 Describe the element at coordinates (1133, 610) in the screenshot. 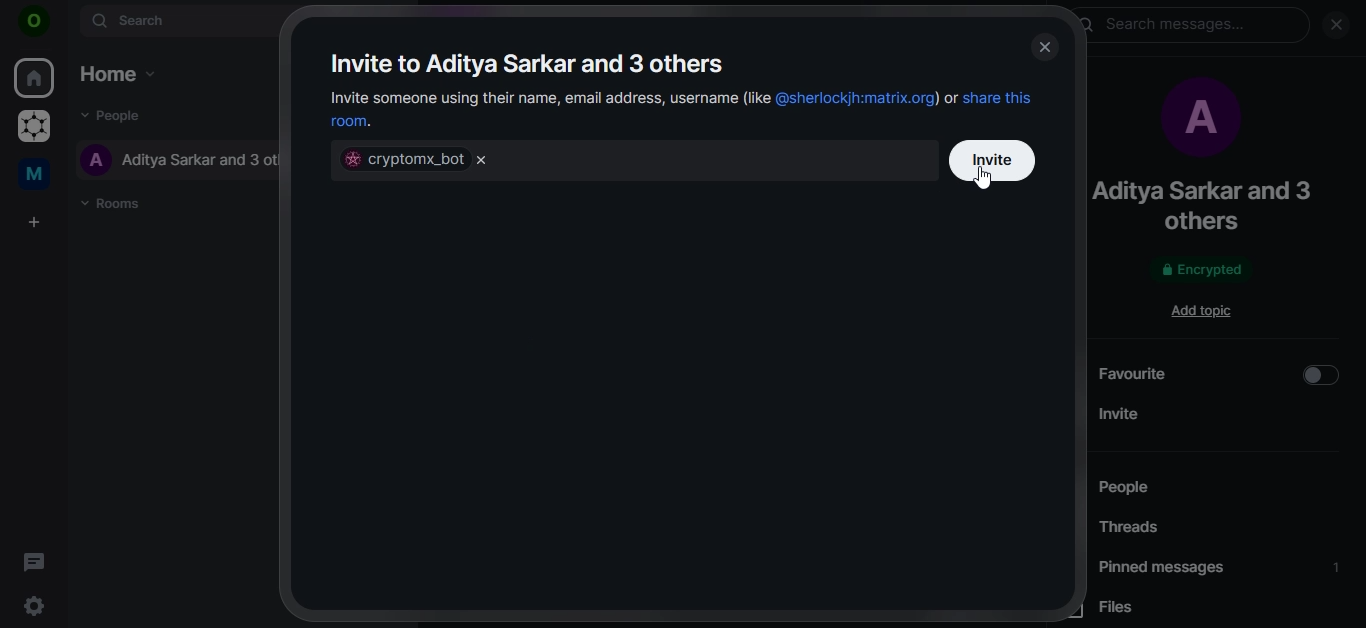

I see `files` at that location.